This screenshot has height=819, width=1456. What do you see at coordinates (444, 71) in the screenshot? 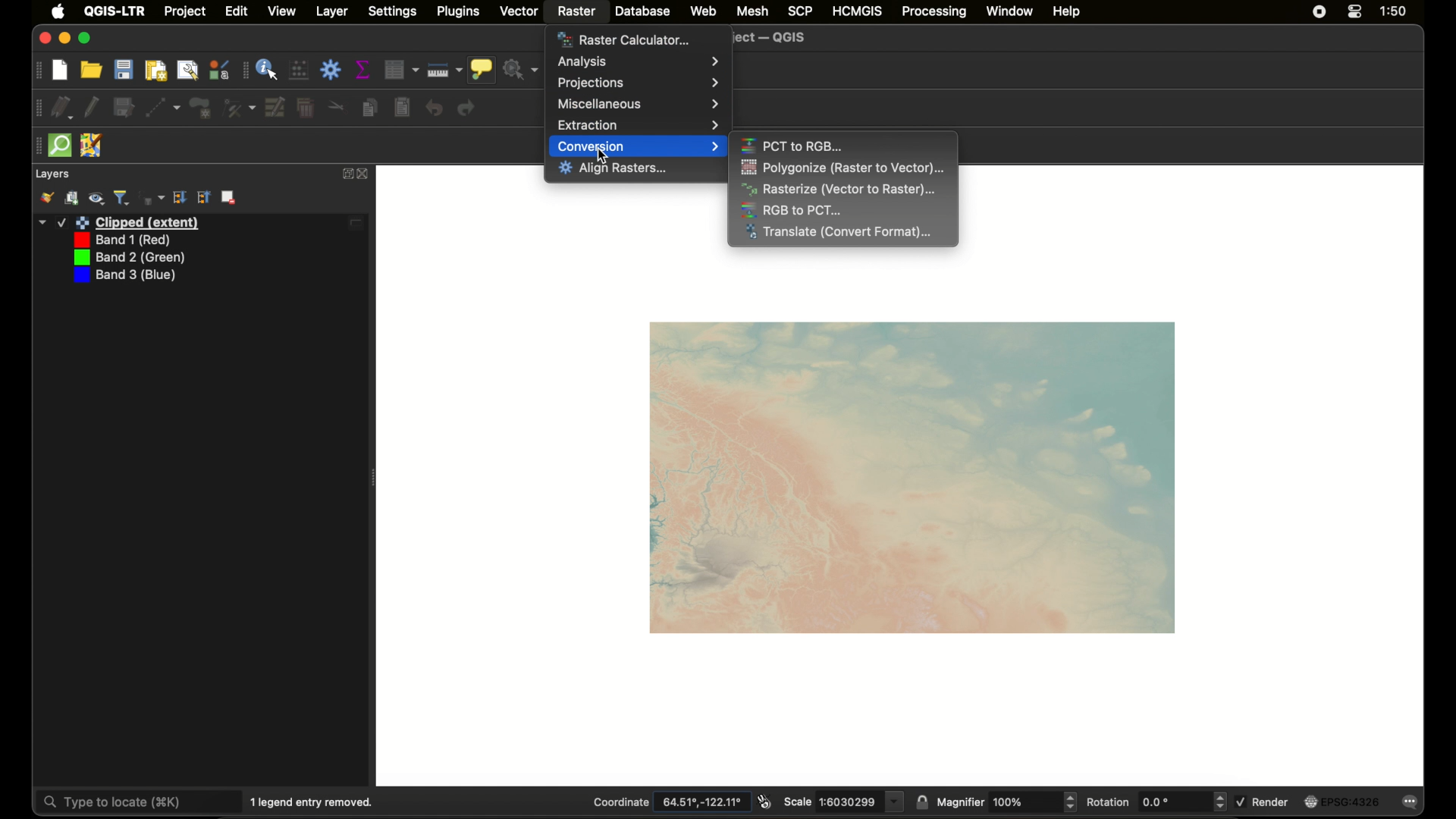
I see `measure line` at bounding box center [444, 71].